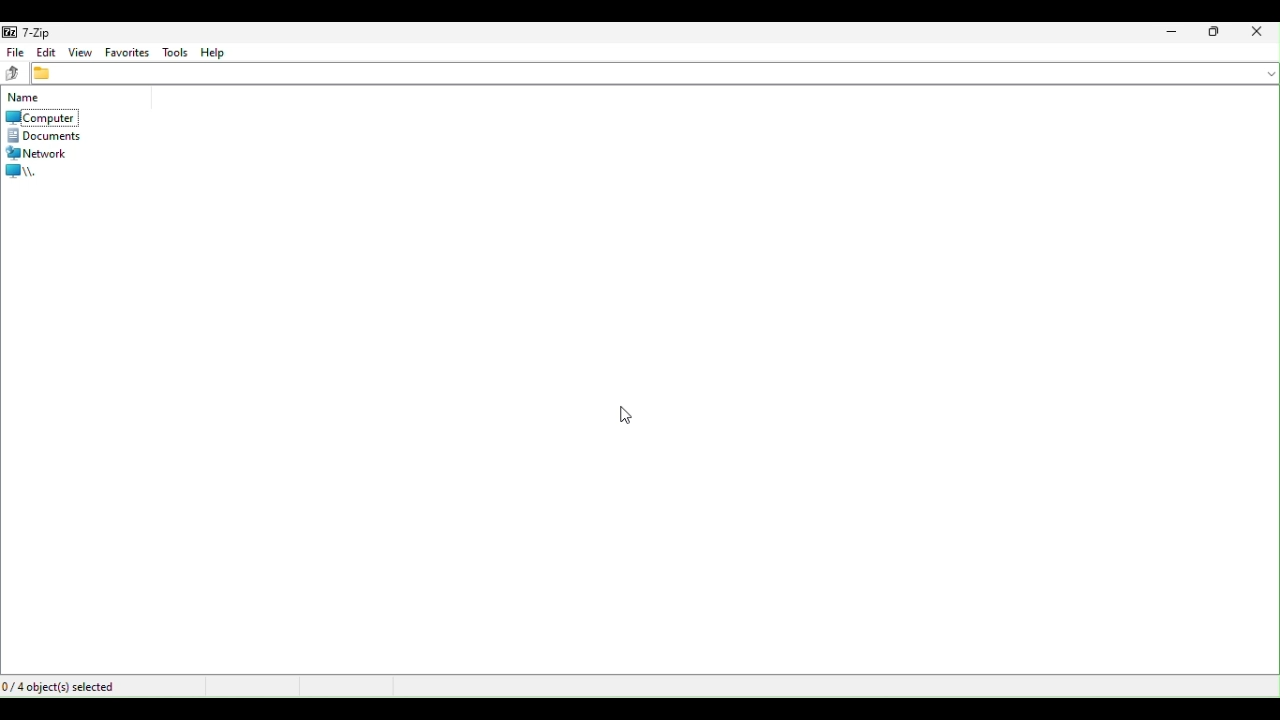  Describe the element at coordinates (81, 52) in the screenshot. I see `View` at that location.